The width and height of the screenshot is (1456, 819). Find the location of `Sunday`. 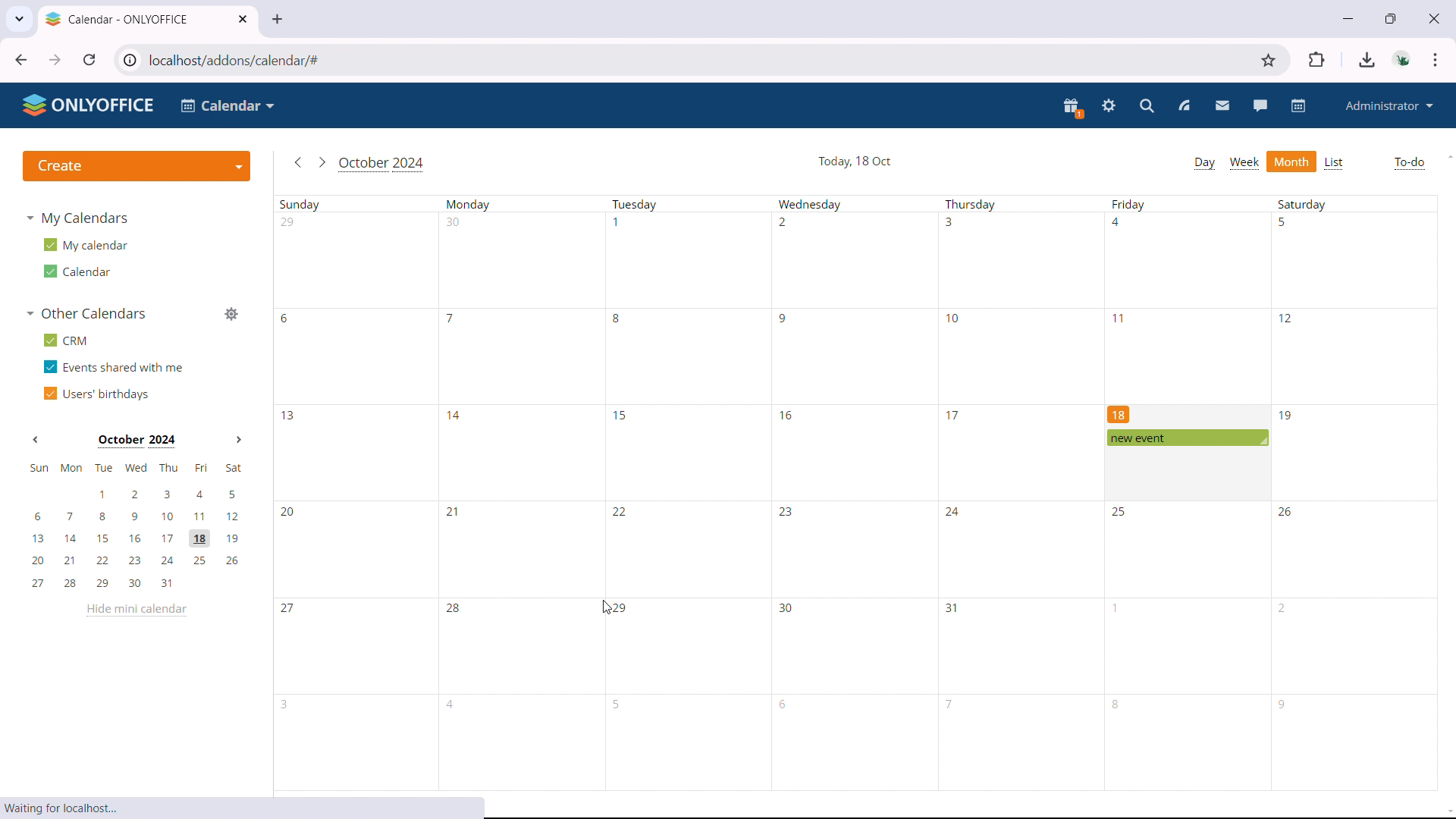

Sunday is located at coordinates (303, 205).